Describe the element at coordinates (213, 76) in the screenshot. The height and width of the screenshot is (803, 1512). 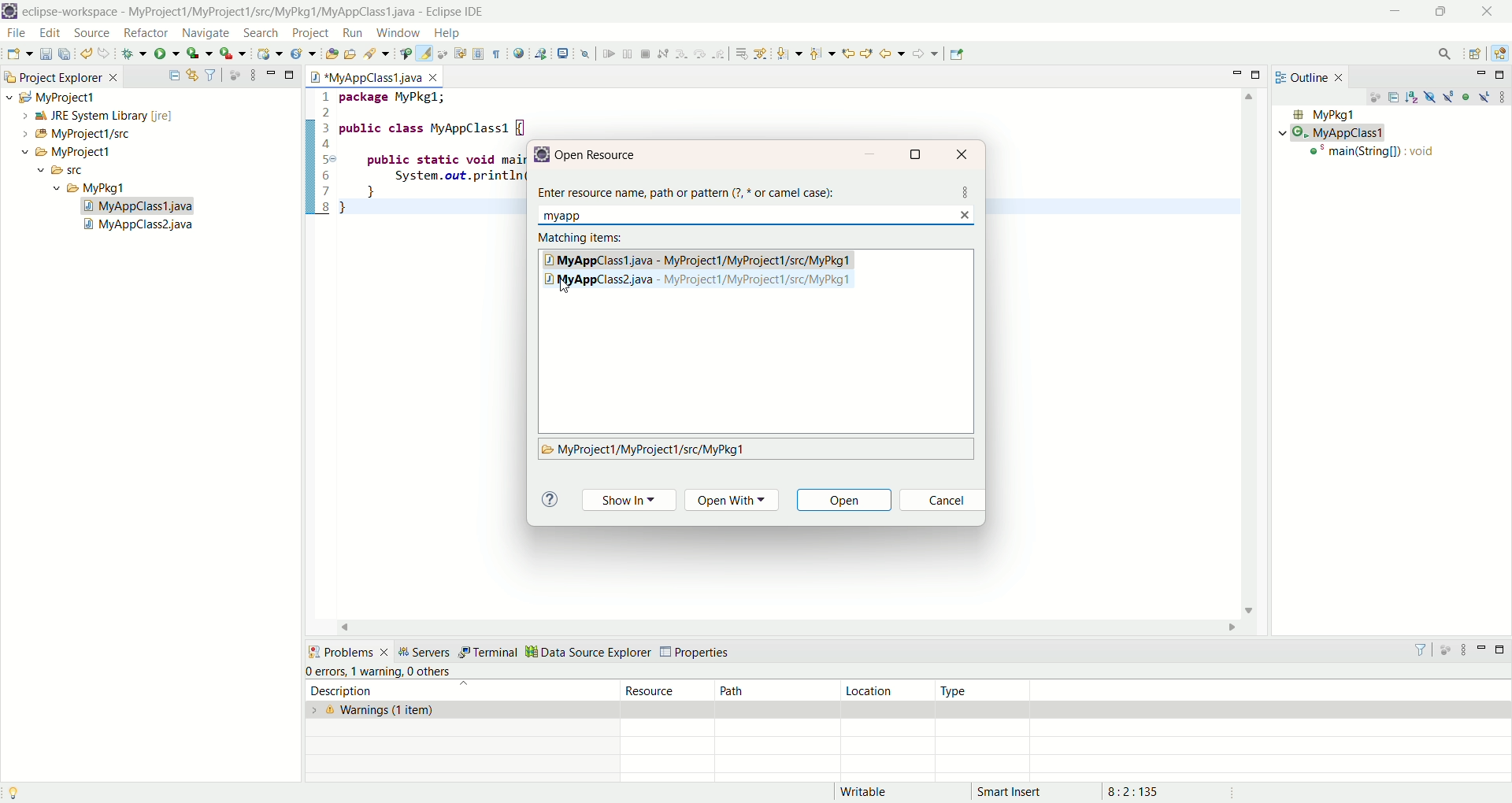
I see `filter` at that location.